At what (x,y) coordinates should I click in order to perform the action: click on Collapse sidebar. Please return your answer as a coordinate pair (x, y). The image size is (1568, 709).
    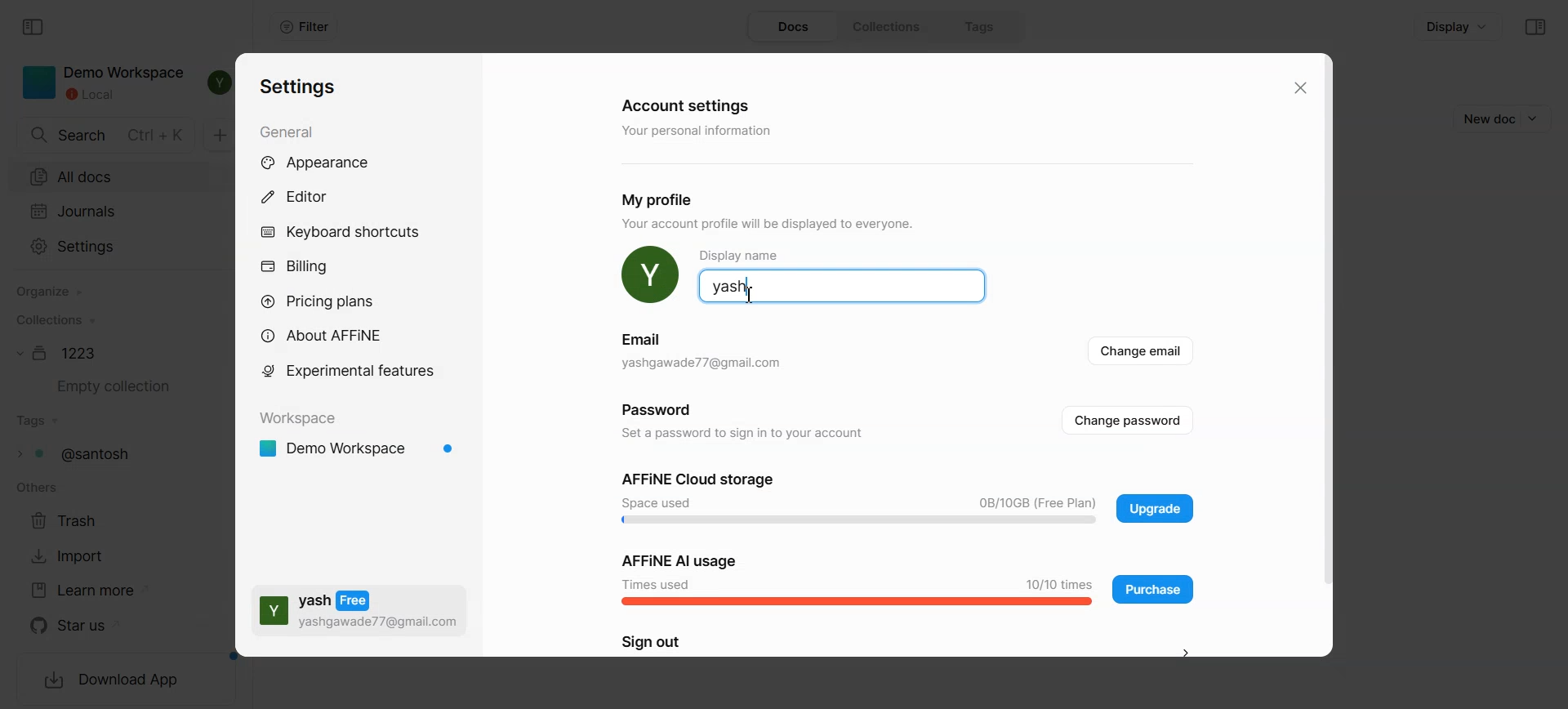
    Looking at the image, I should click on (1535, 27).